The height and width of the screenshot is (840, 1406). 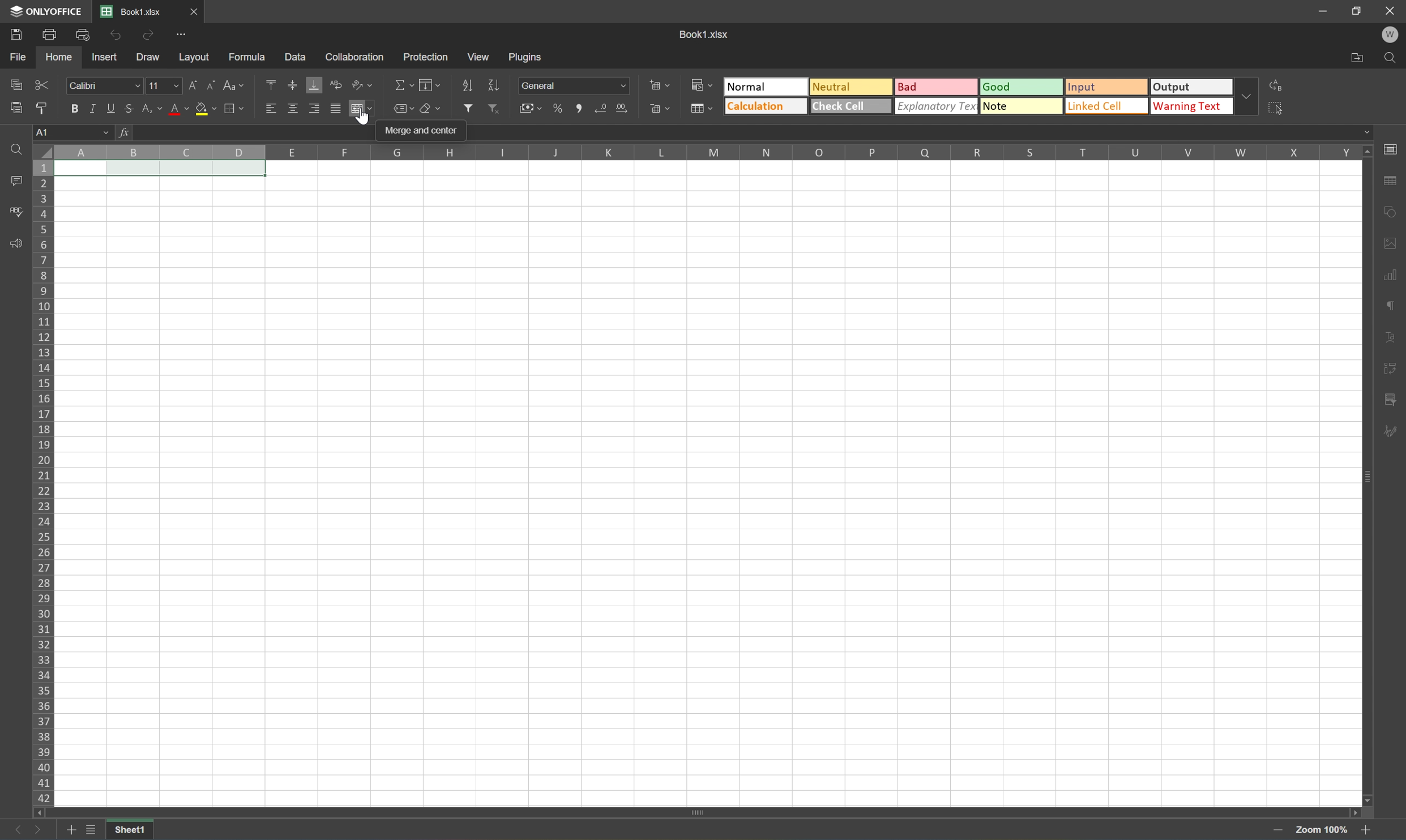 What do you see at coordinates (14, 212) in the screenshot?
I see `Spell checking` at bounding box center [14, 212].